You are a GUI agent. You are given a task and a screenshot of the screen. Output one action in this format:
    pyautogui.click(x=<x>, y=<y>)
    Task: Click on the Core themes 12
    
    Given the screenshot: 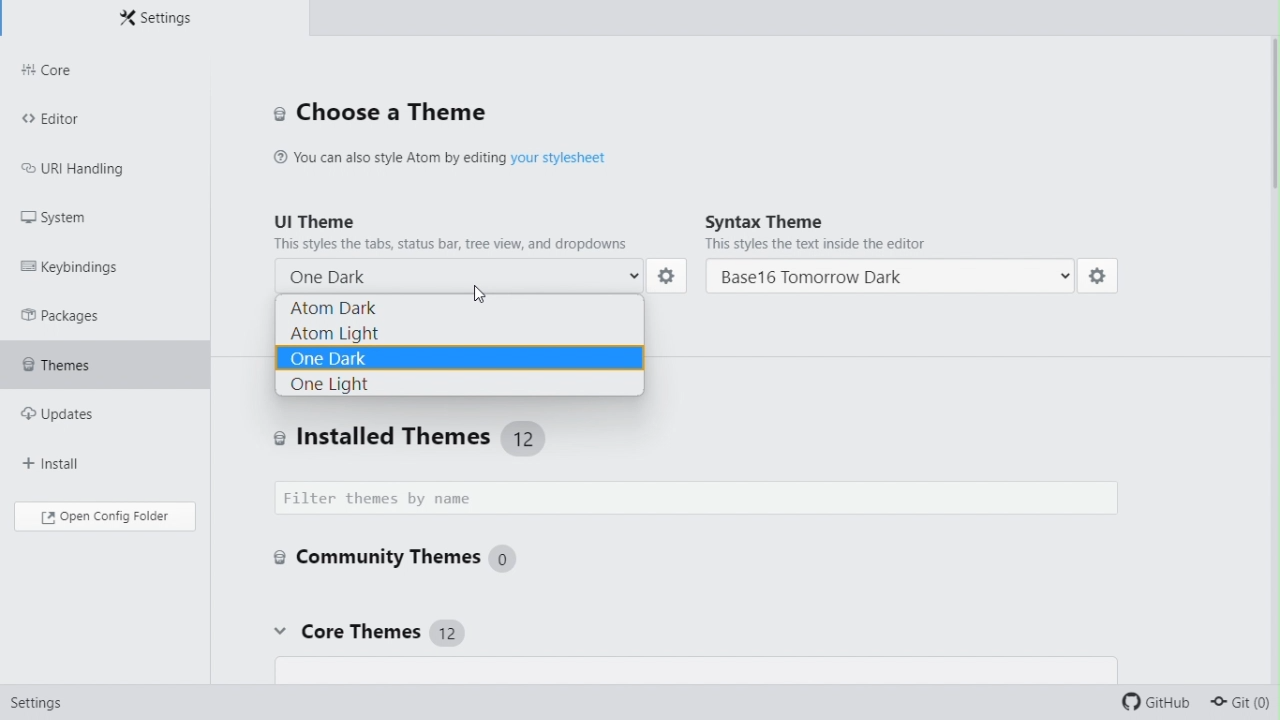 What is the action you would take?
    pyautogui.click(x=366, y=633)
    